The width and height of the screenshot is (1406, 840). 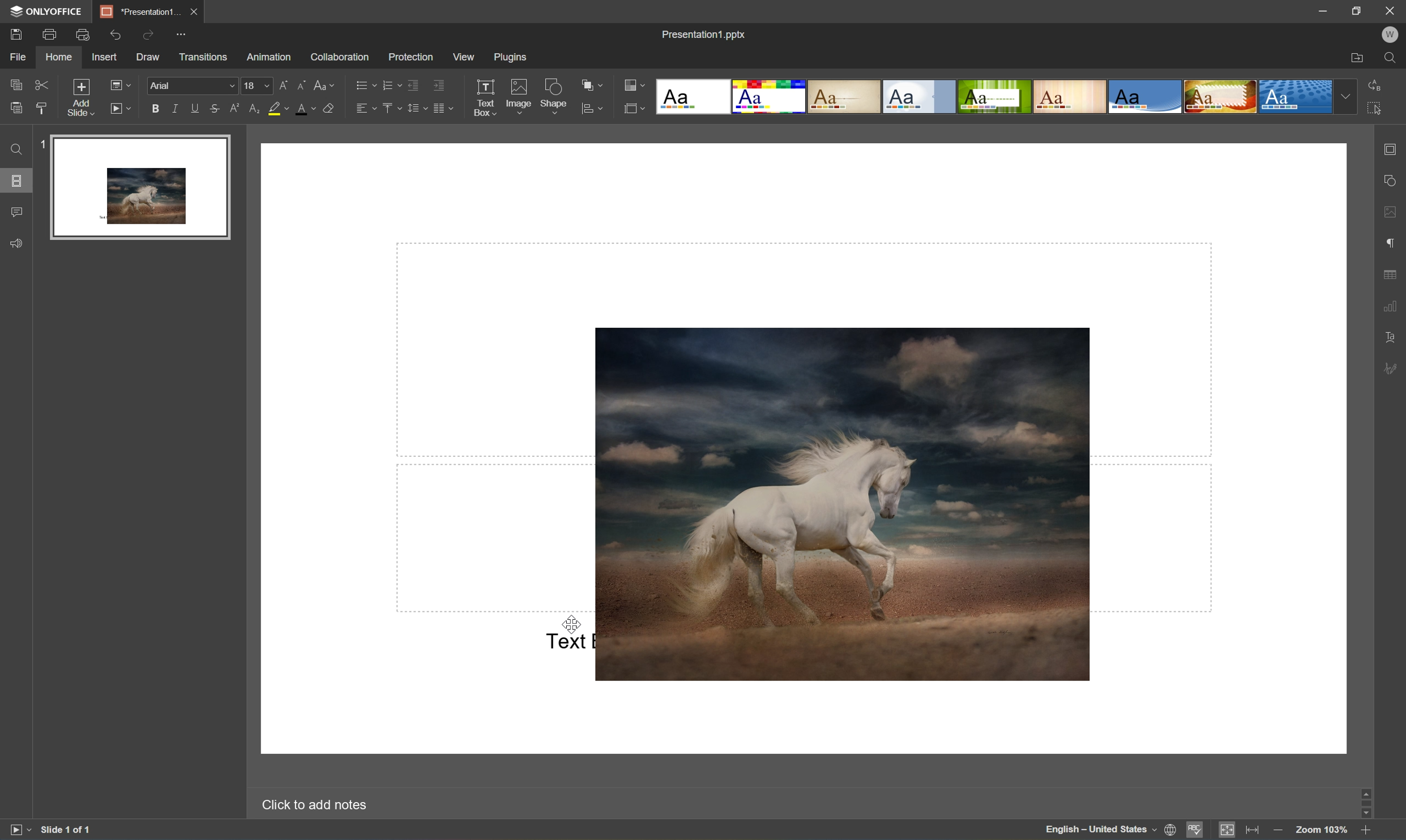 What do you see at coordinates (16, 832) in the screenshot?
I see `Start slideshow` at bounding box center [16, 832].